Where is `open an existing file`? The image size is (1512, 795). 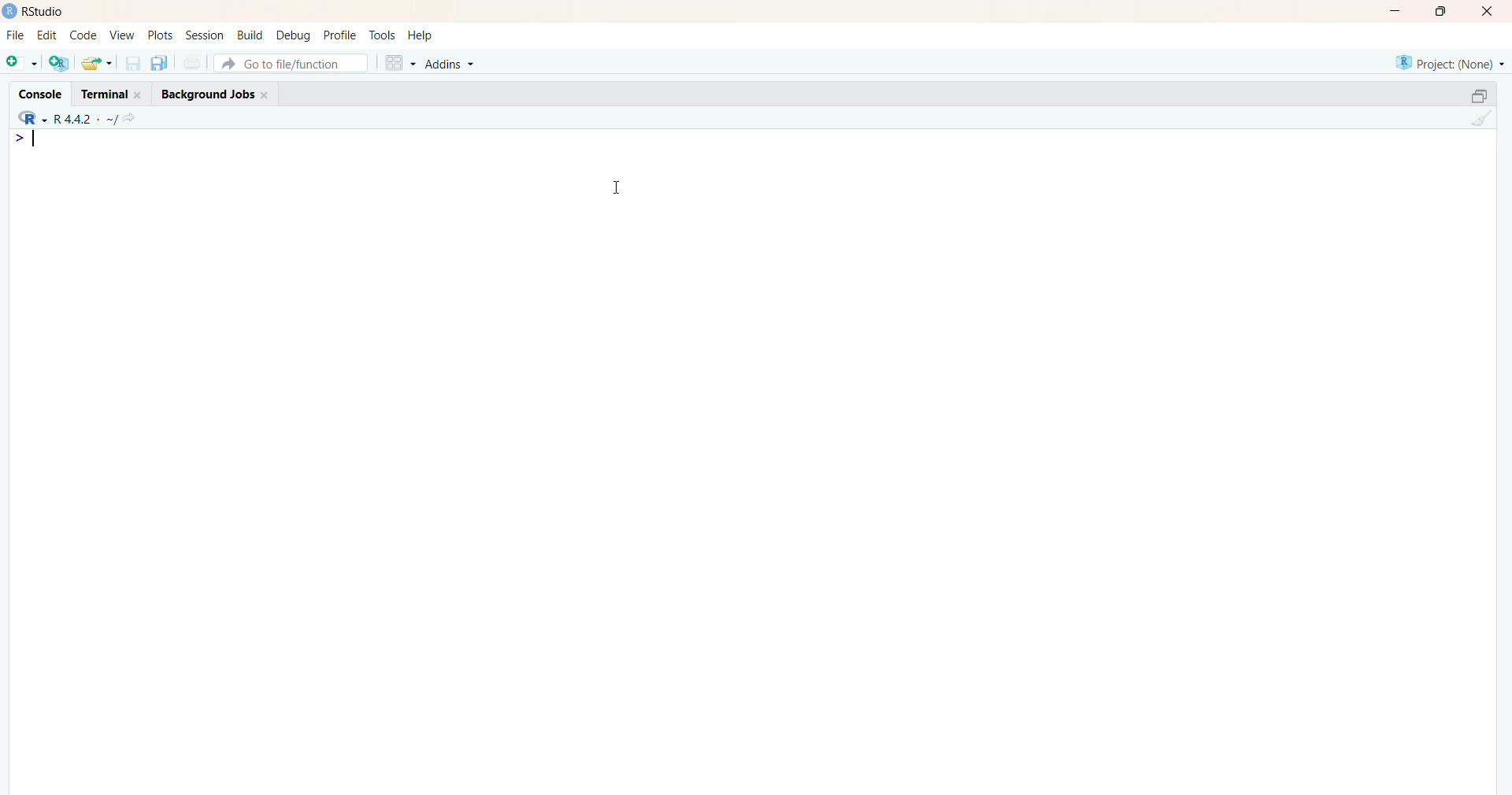 open an existing file is located at coordinates (98, 62).